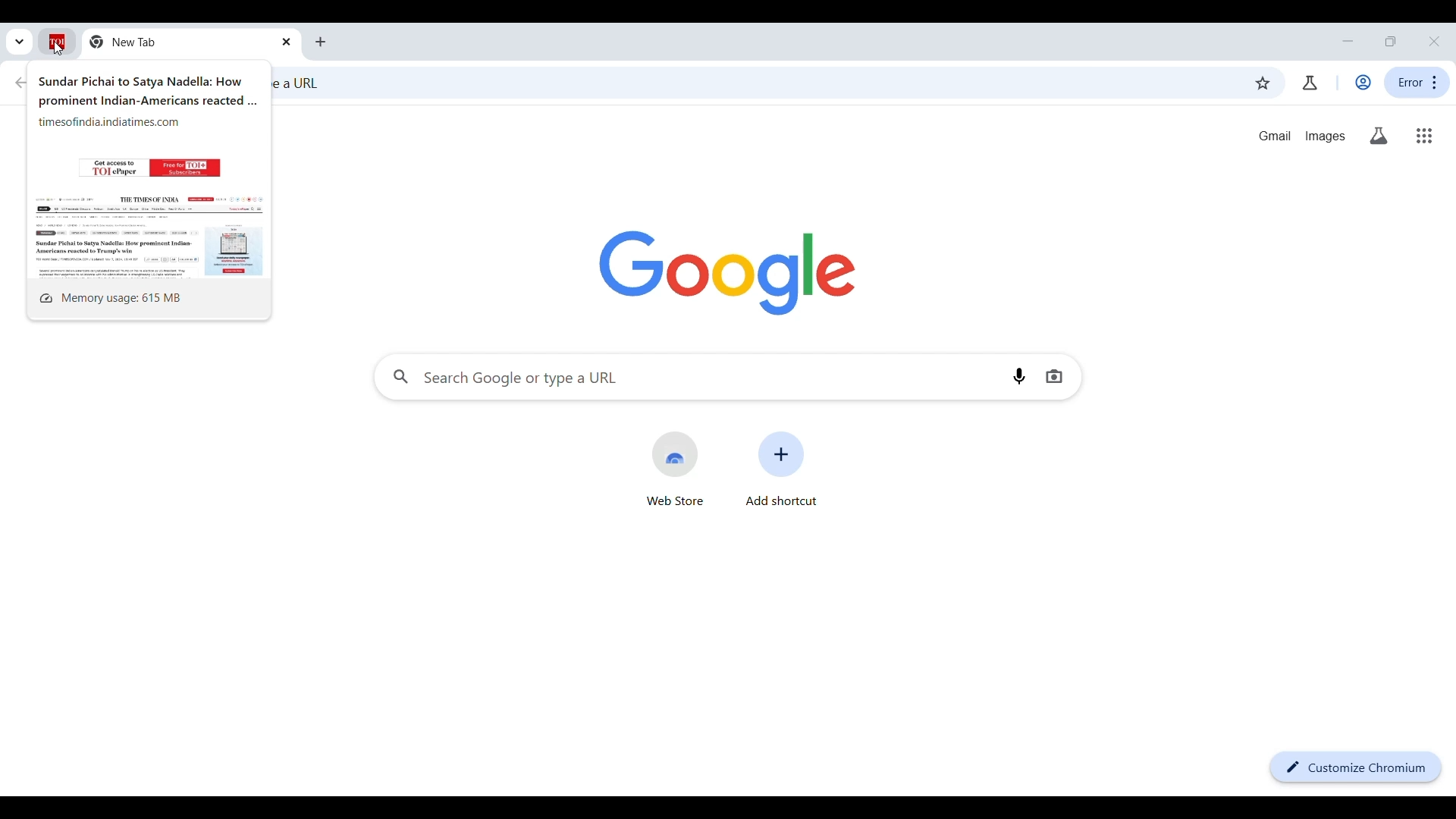  I want to click on Google logo, so click(726, 274).